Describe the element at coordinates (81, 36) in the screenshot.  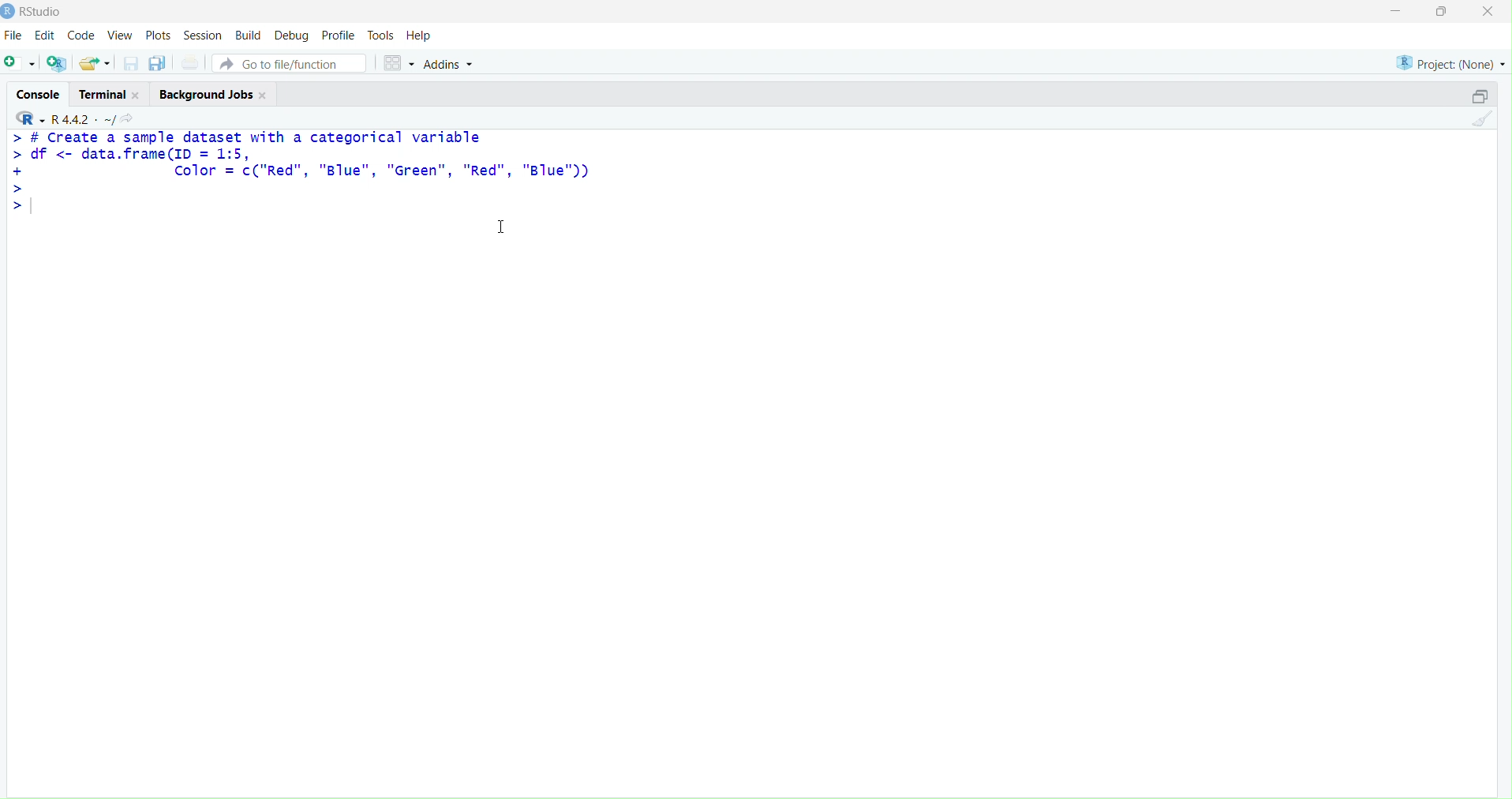
I see `code` at that location.